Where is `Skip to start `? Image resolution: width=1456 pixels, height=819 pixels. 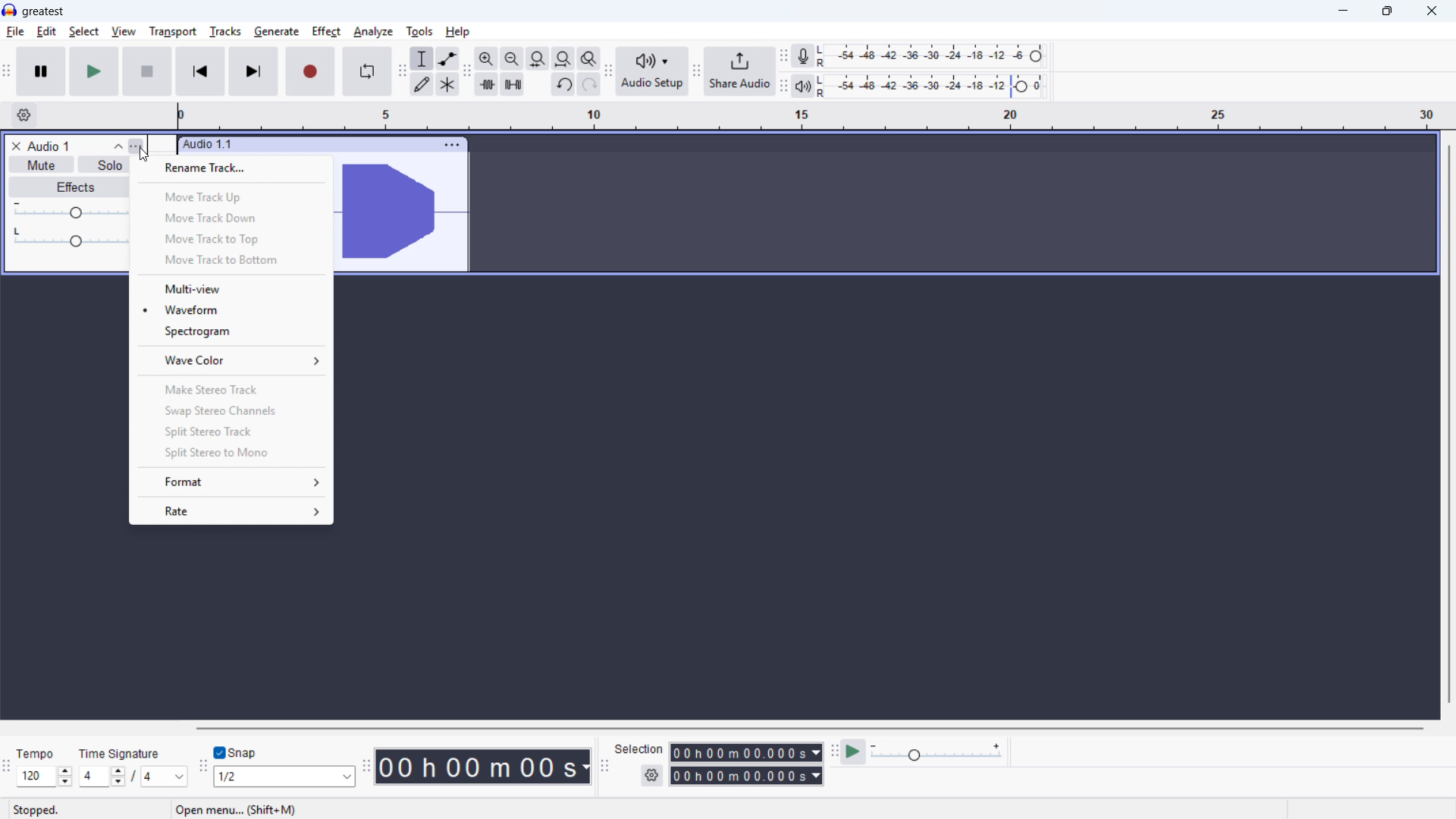 Skip to start  is located at coordinates (200, 71).